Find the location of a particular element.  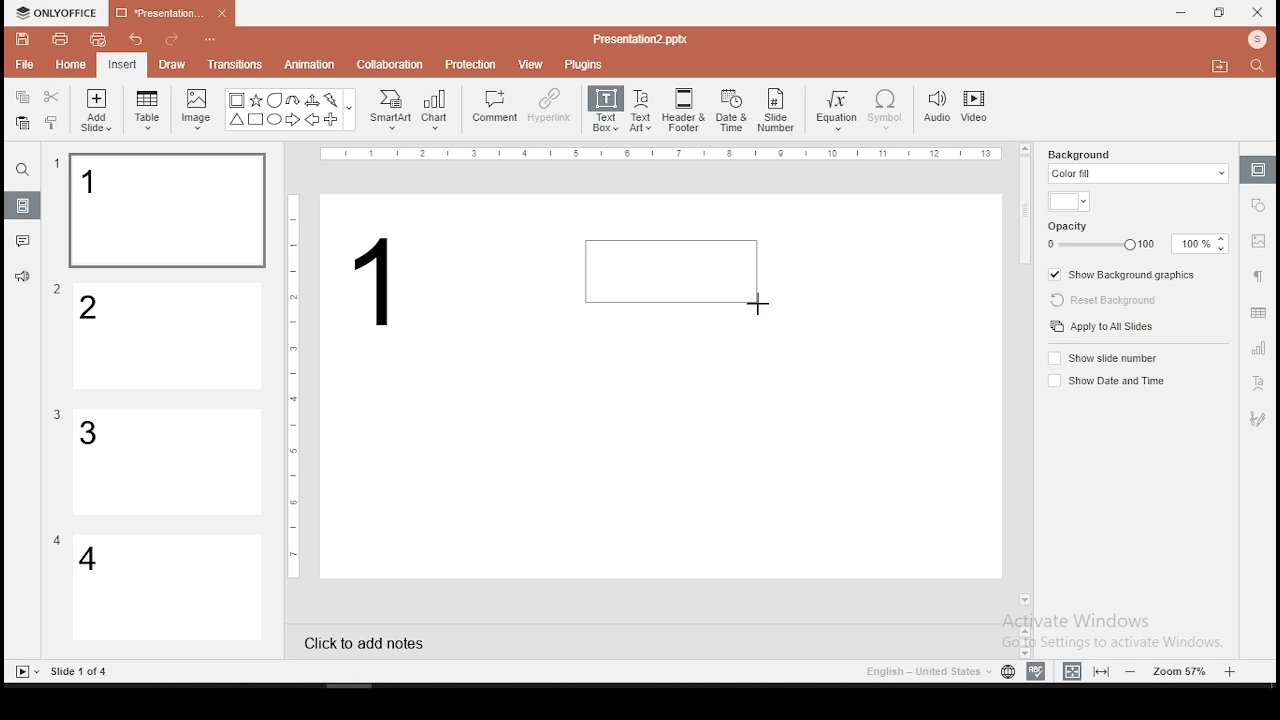

plugins is located at coordinates (585, 61).